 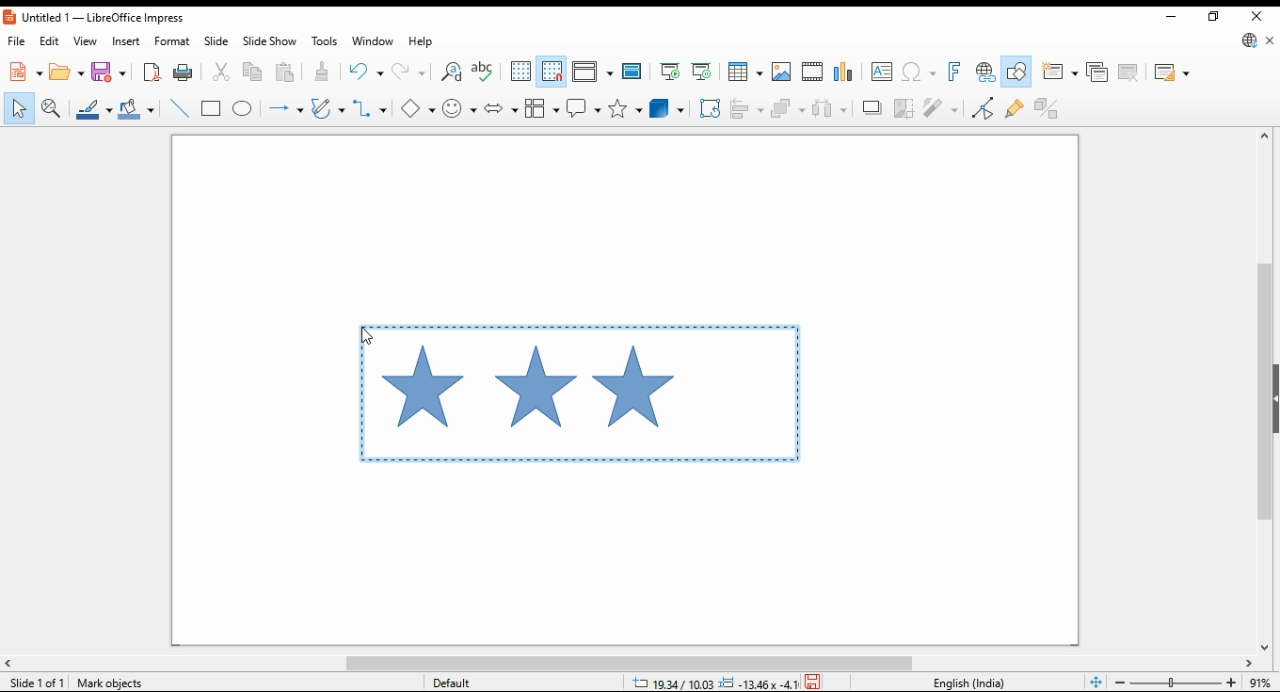 I want to click on insert tables, so click(x=746, y=70).